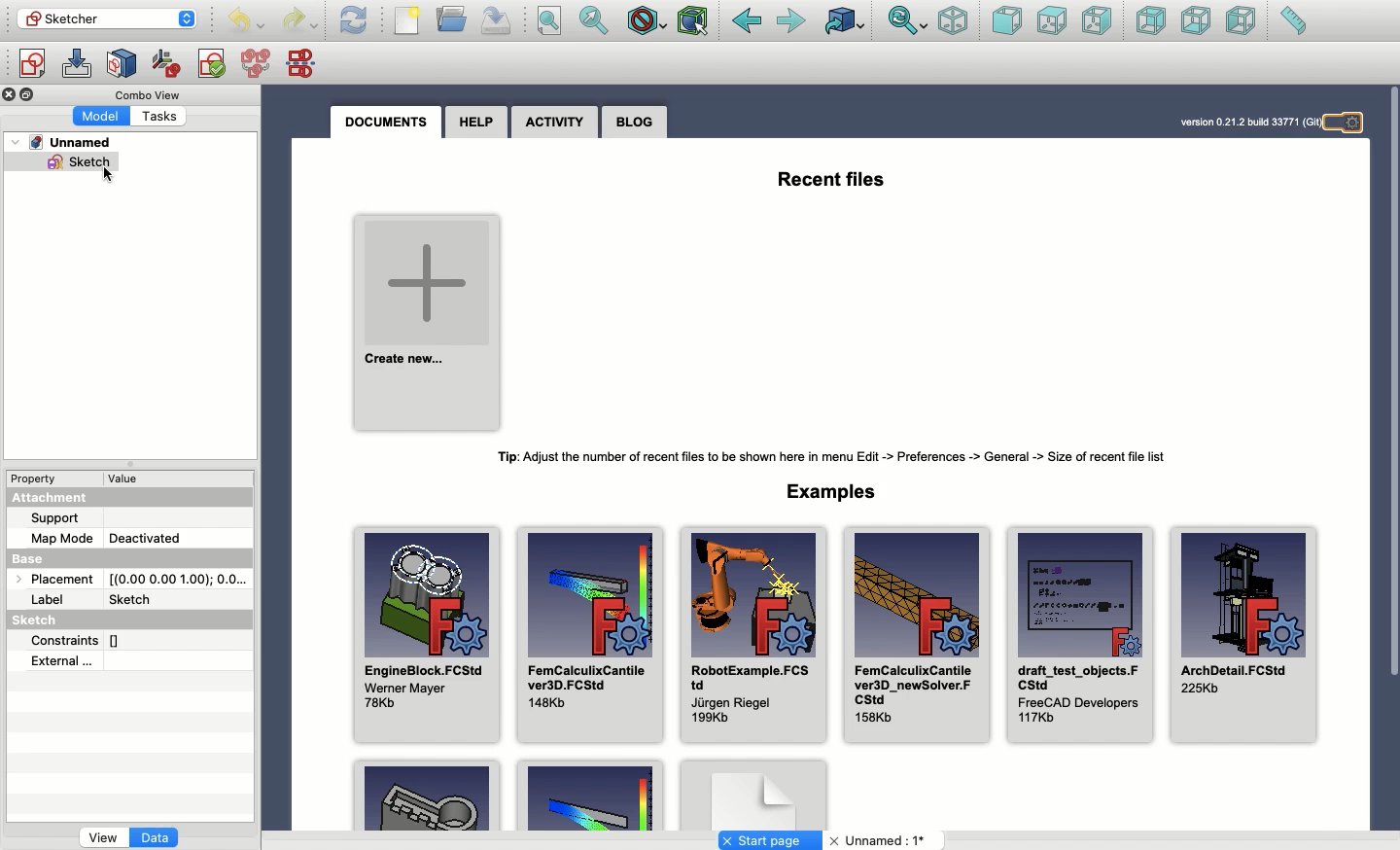 This screenshot has height=850, width=1400. What do you see at coordinates (122, 65) in the screenshot?
I see `Map sketch to face` at bounding box center [122, 65].